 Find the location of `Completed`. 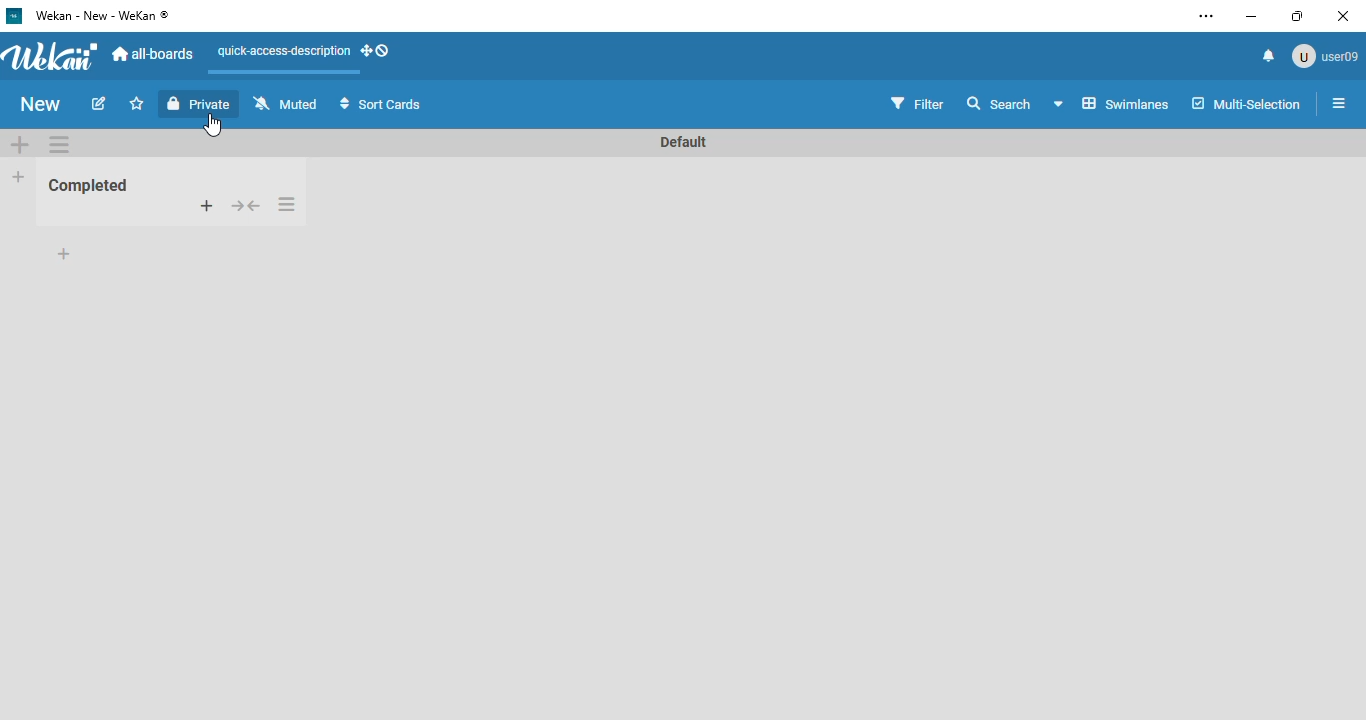

Completed is located at coordinates (90, 185).